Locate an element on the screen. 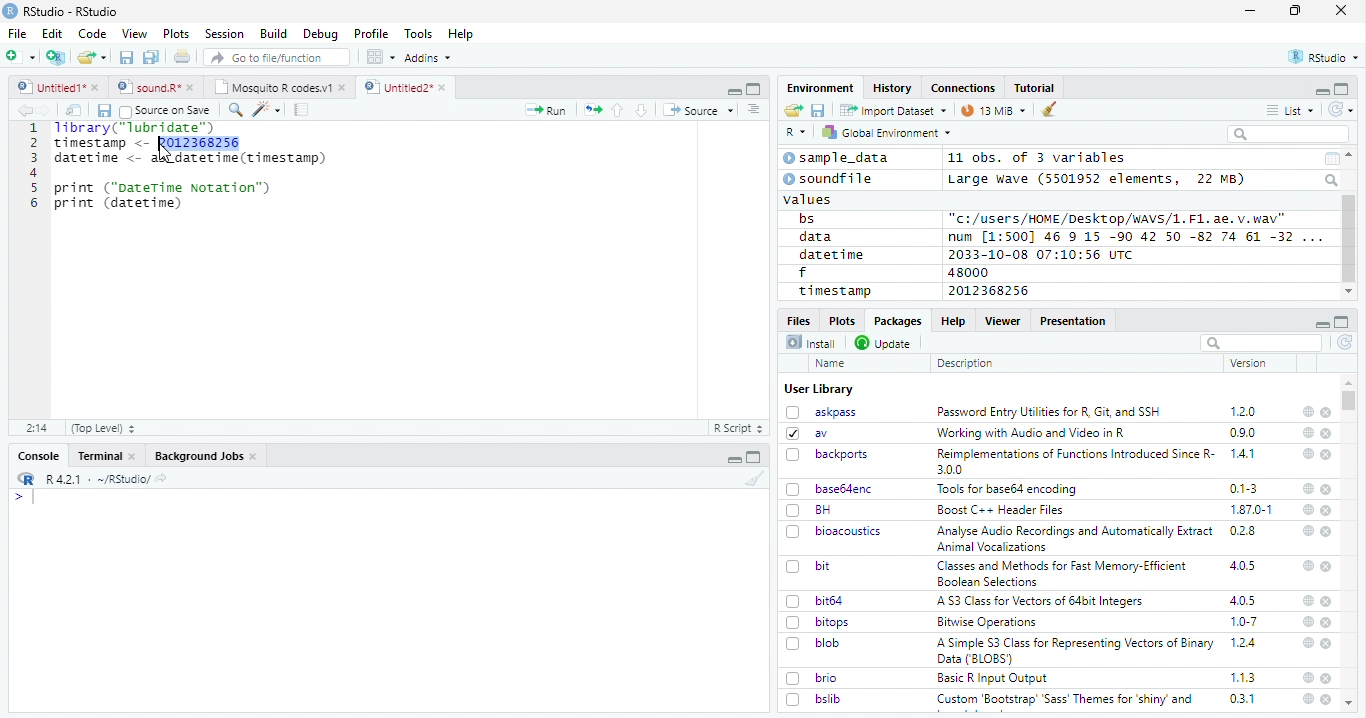 The height and width of the screenshot is (718, 1366). minimize is located at coordinates (1321, 90).